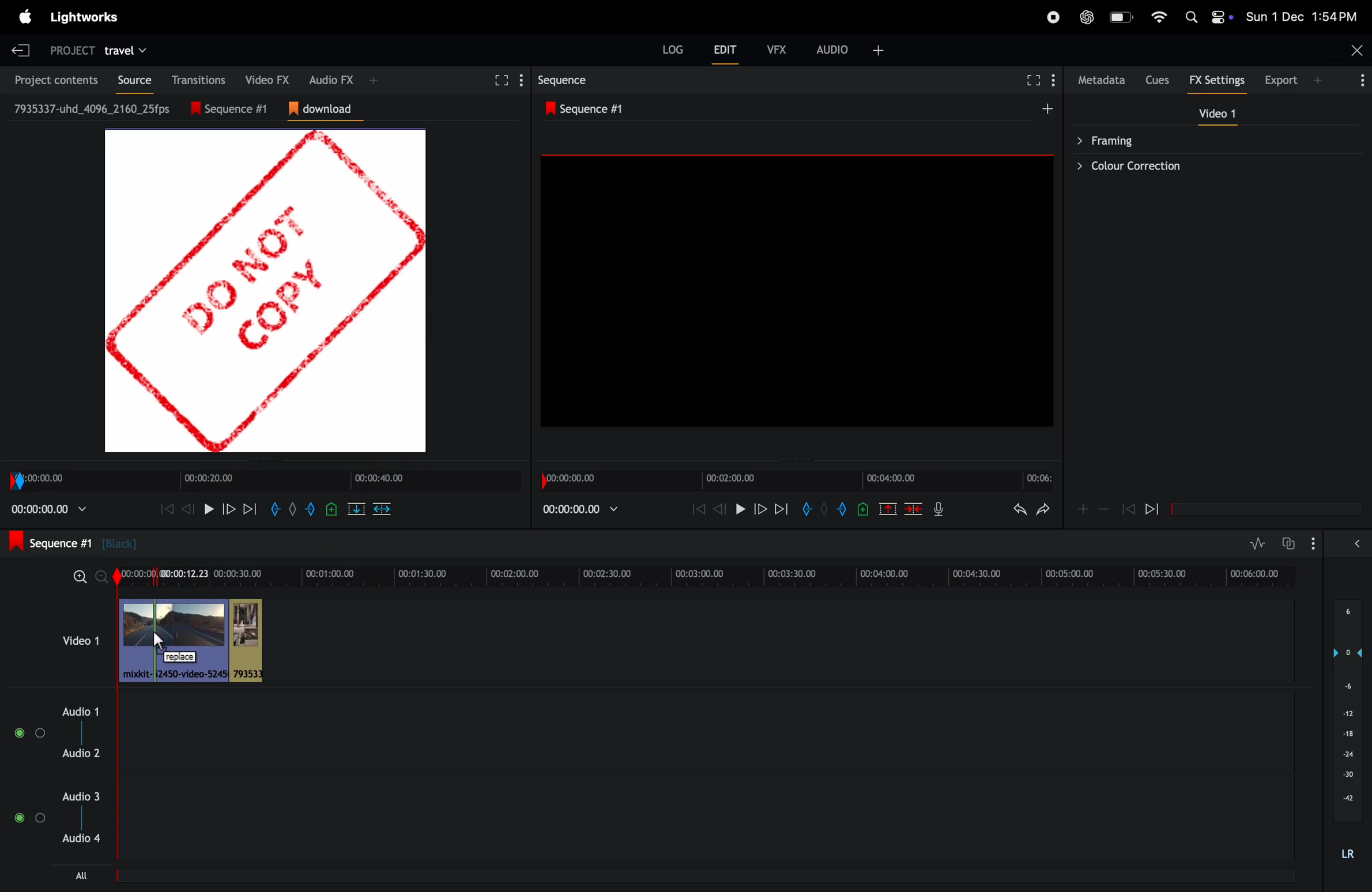  I want to click on framing, so click(1209, 139).